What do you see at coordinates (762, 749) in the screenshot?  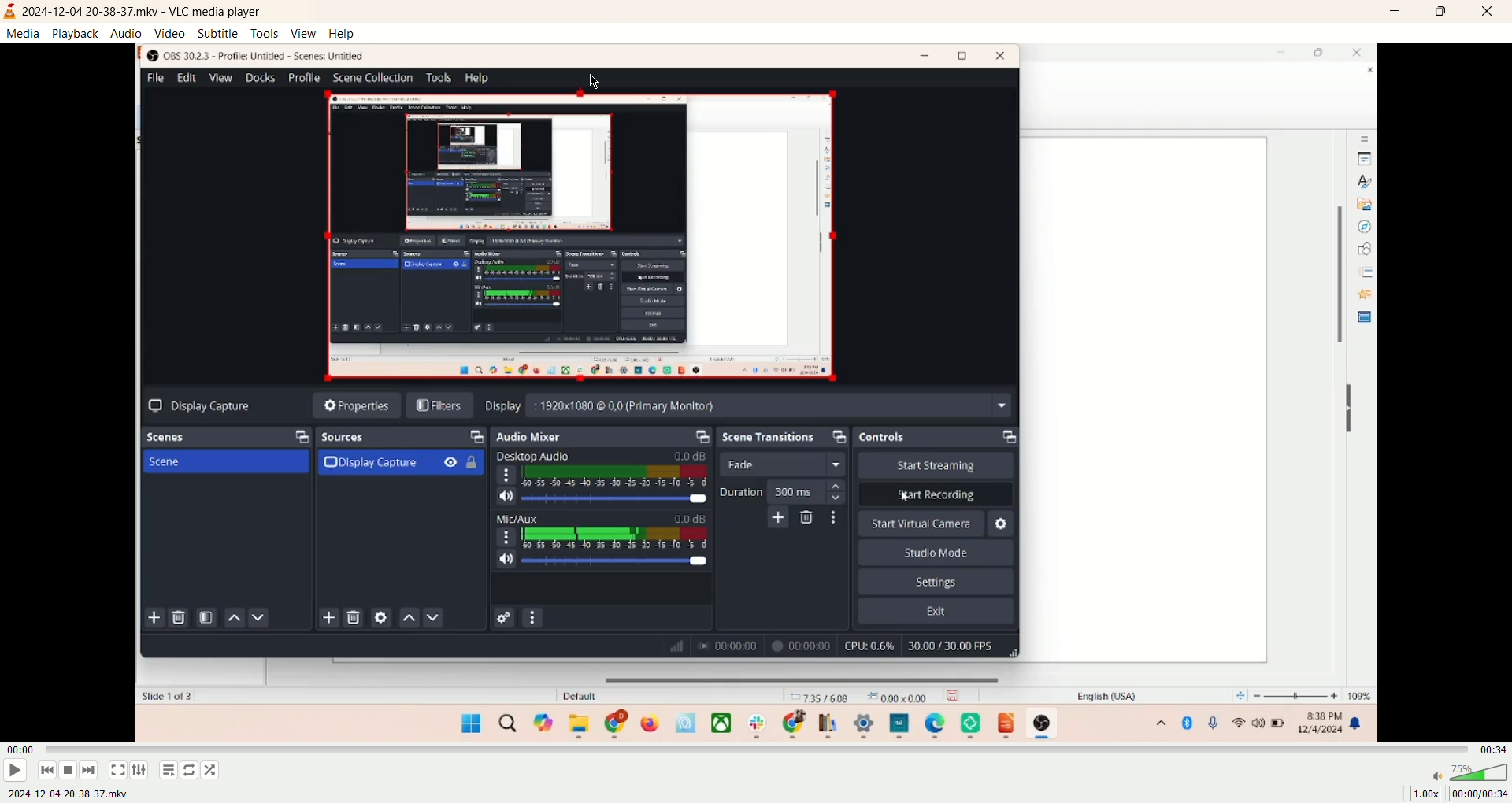 I see `progress bar` at bounding box center [762, 749].